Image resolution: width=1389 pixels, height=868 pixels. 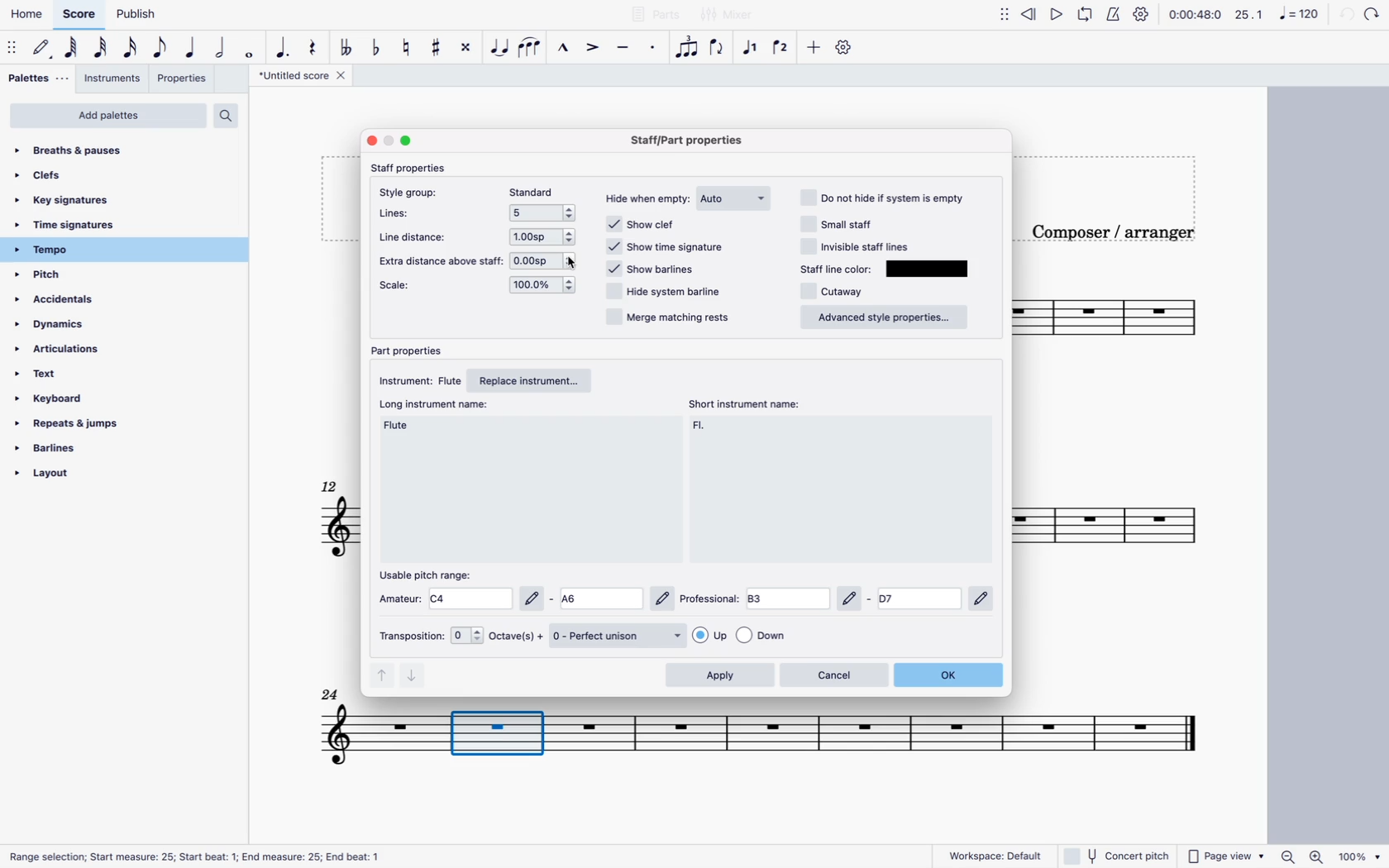 I want to click on Composer / arranger, so click(x=1110, y=230).